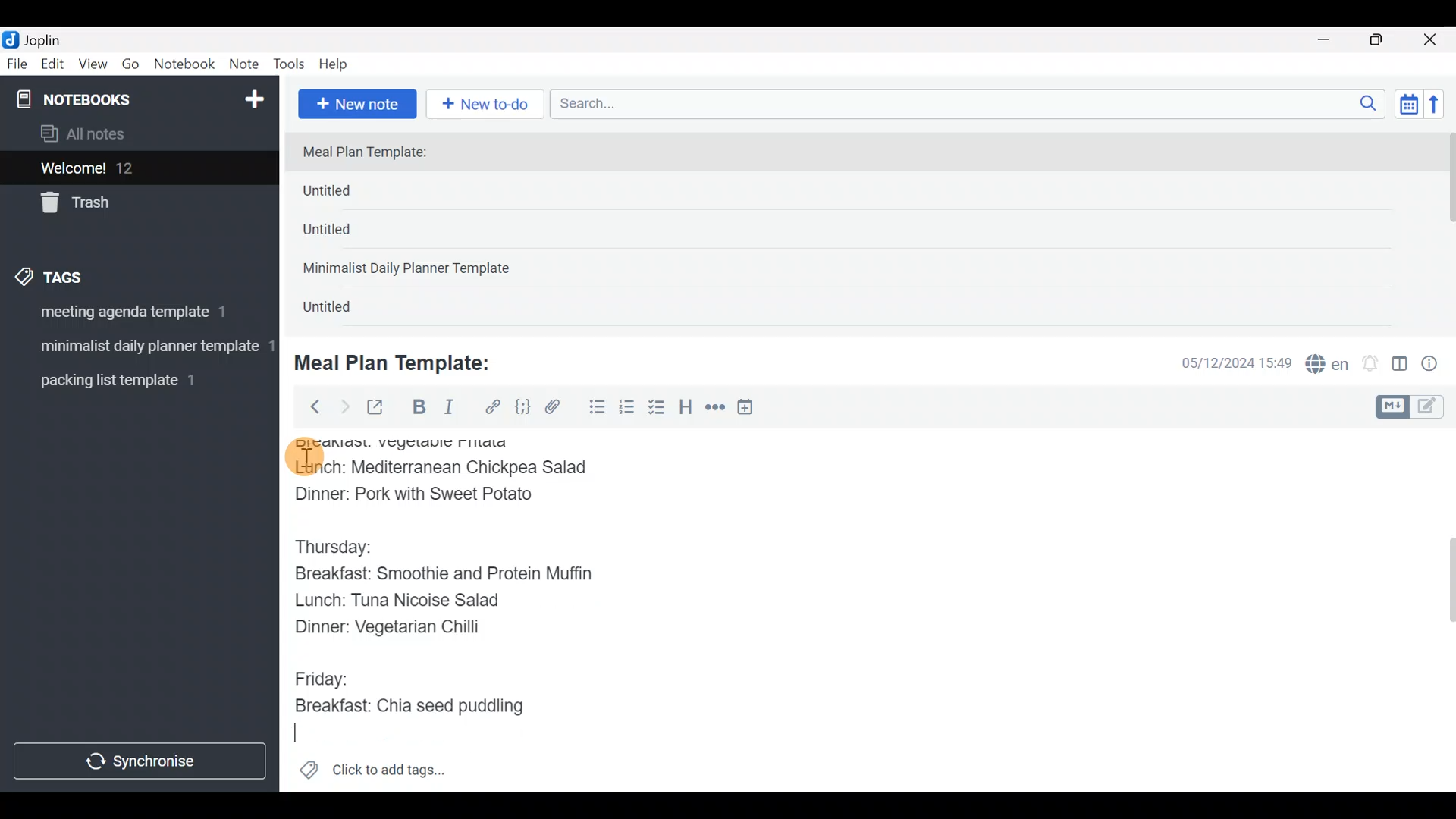  Describe the element at coordinates (139, 348) in the screenshot. I see `Tag 2` at that location.